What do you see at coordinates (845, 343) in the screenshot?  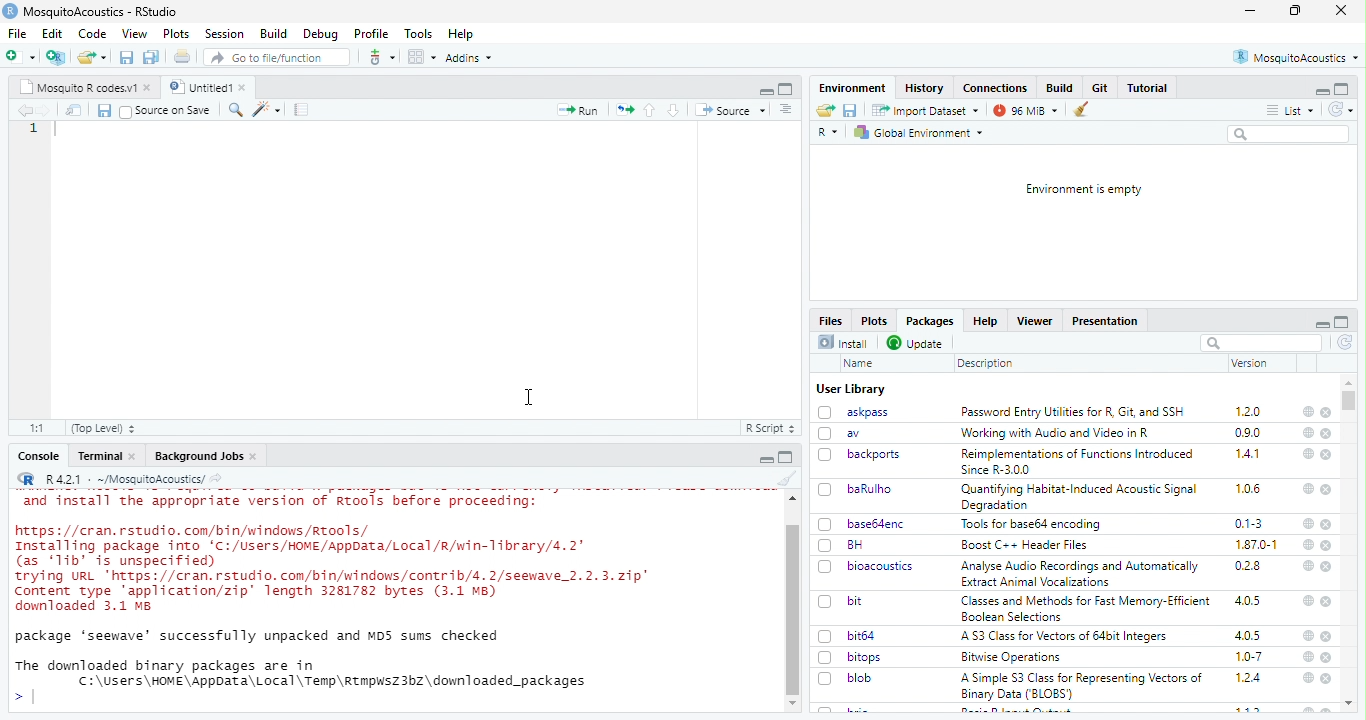 I see `install` at bounding box center [845, 343].